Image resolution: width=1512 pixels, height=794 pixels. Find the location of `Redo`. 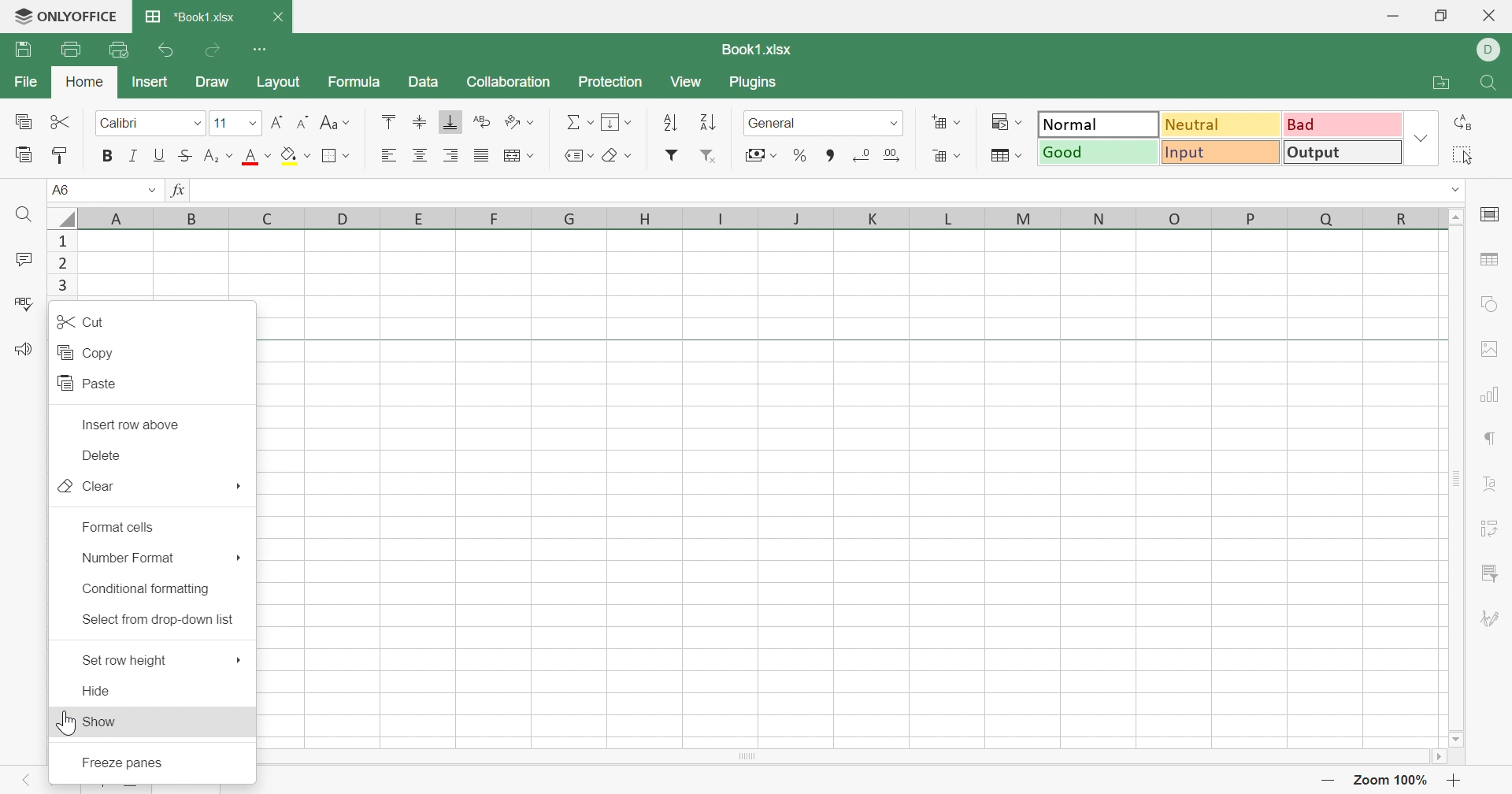

Redo is located at coordinates (214, 47).